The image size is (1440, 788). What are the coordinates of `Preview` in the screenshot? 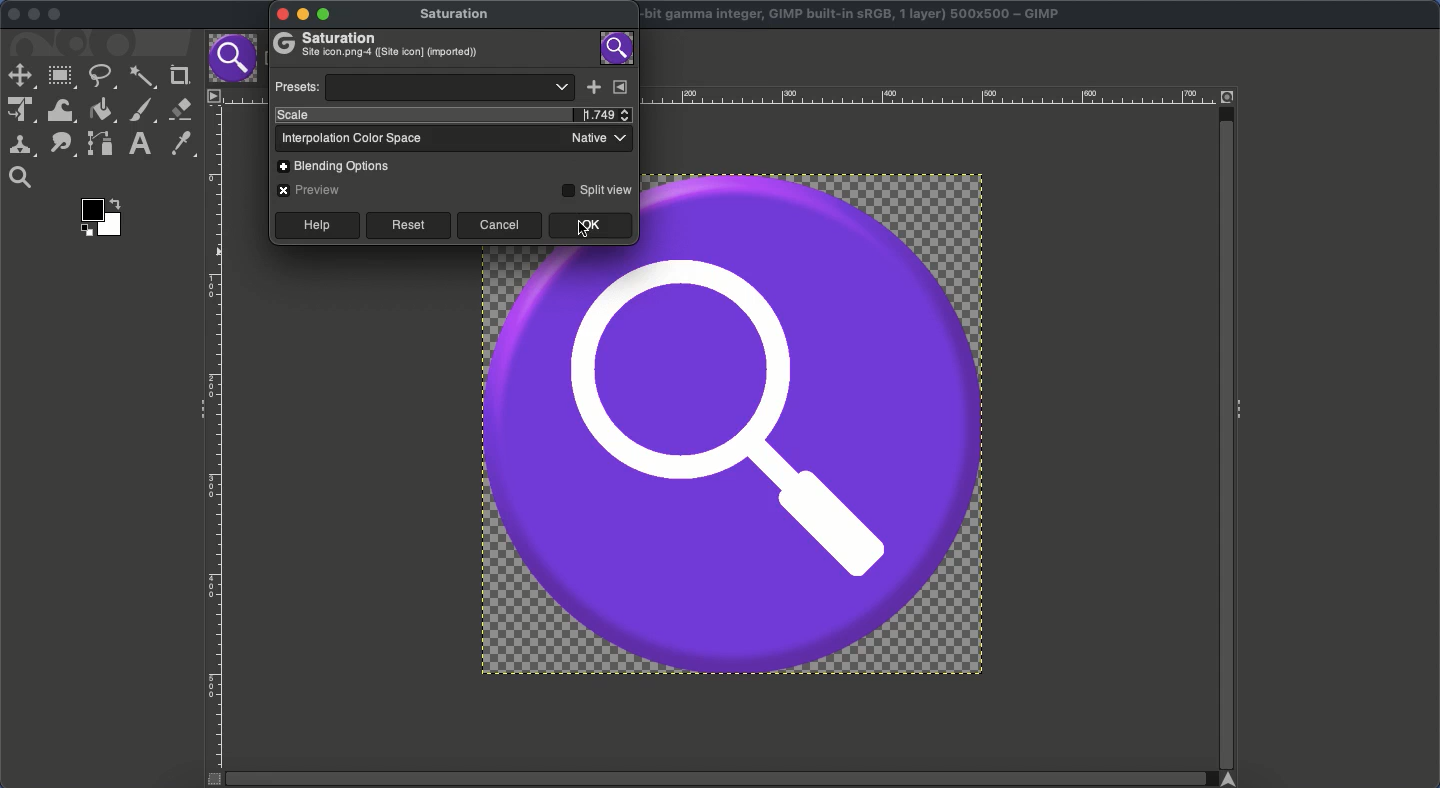 It's located at (311, 190).